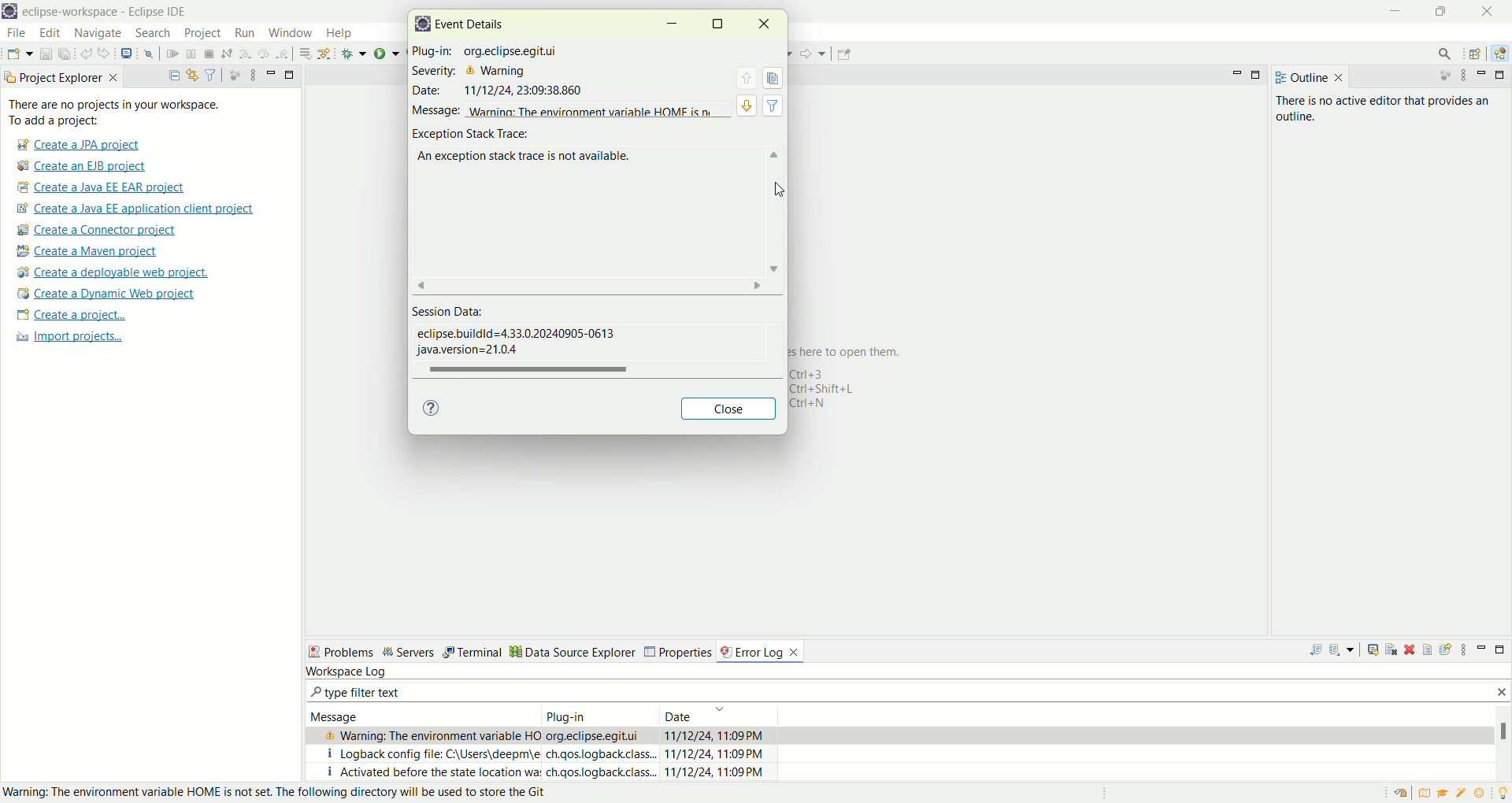  I want to click on project, so click(202, 34).